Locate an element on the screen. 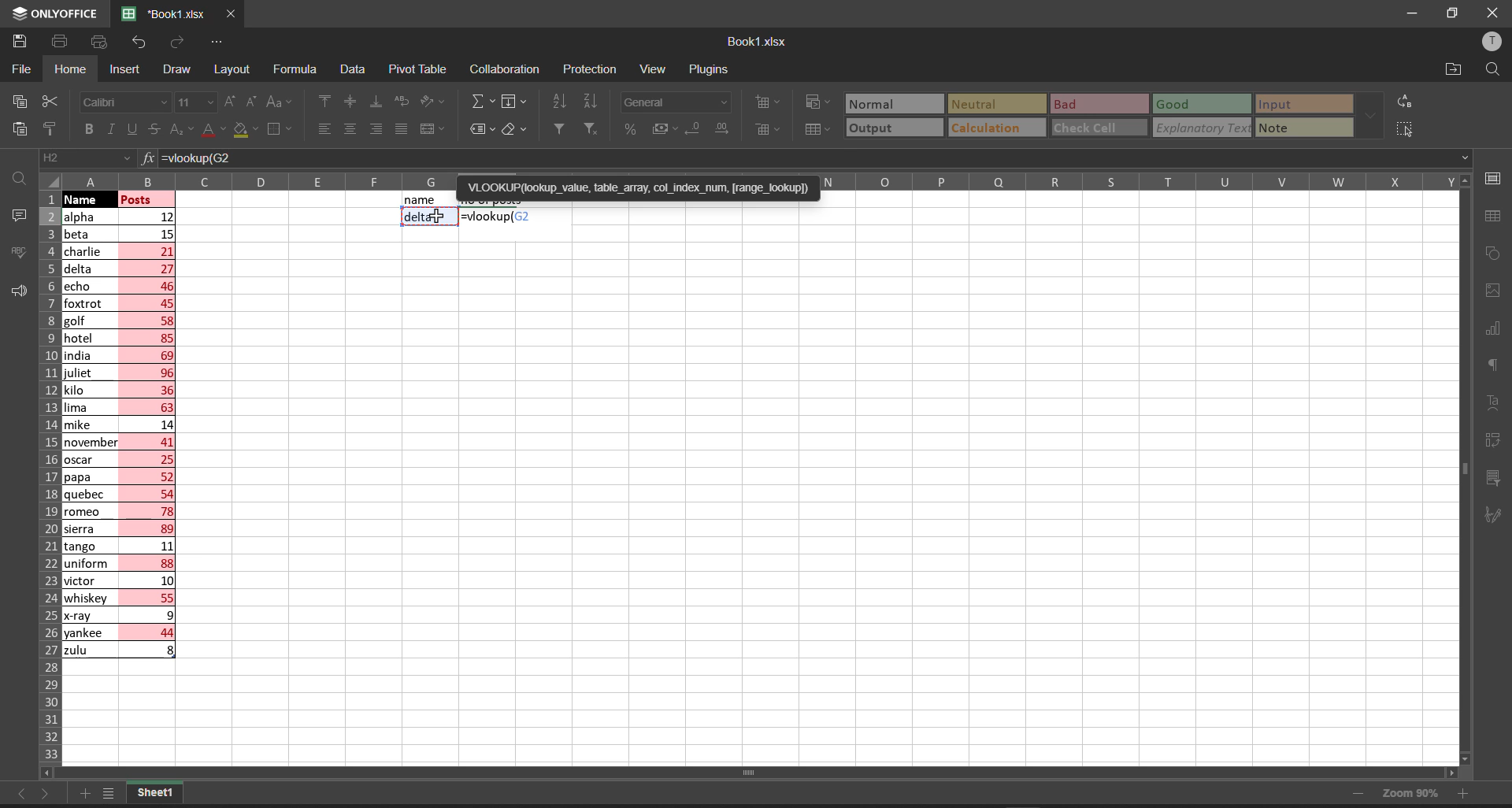 Image resolution: width=1512 pixels, height=808 pixels. align center is located at coordinates (348, 130).